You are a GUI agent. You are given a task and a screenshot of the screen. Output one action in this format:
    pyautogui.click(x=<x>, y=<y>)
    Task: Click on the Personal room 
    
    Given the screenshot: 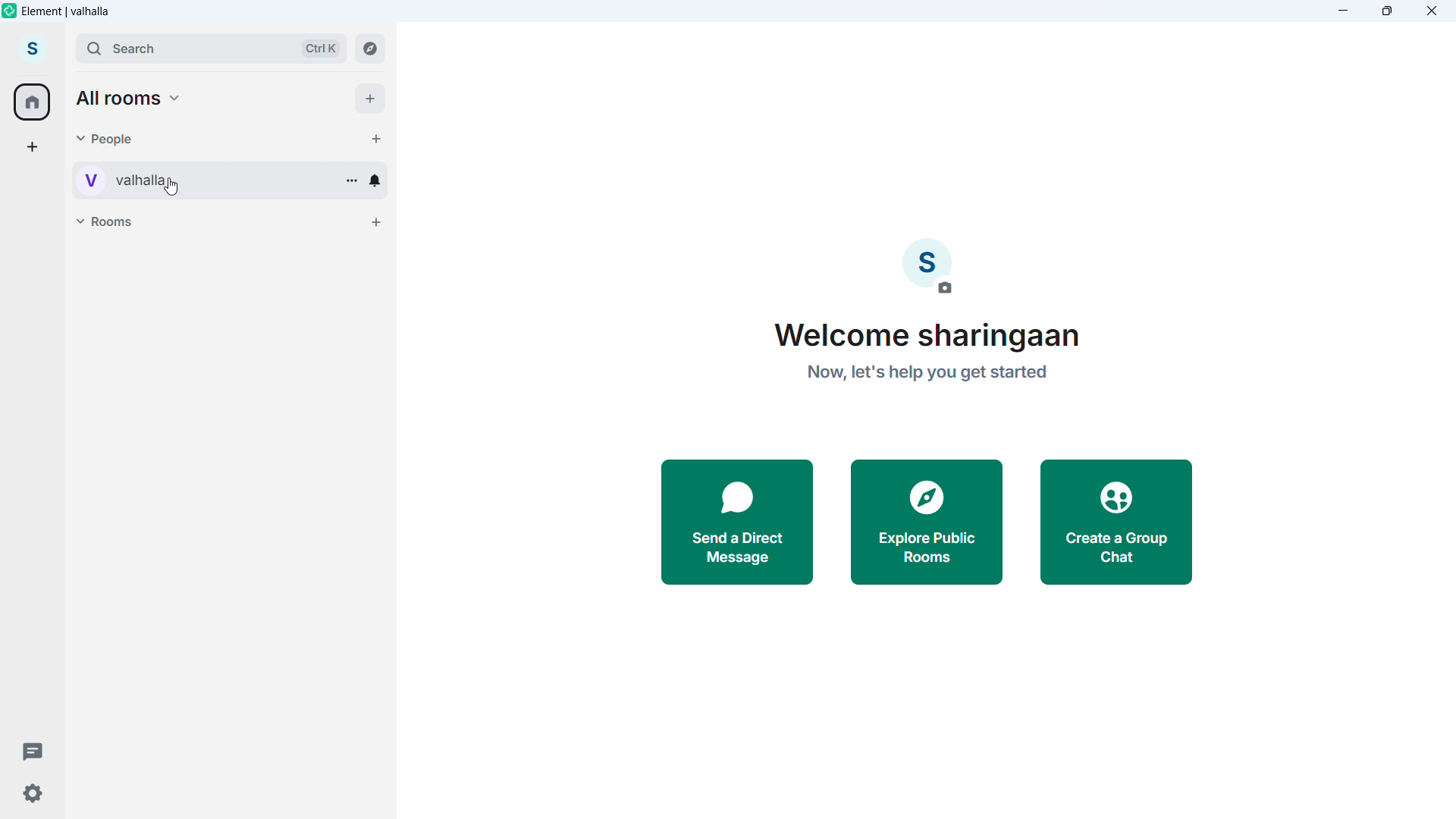 What is the action you would take?
    pyautogui.click(x=181, y=180)
    